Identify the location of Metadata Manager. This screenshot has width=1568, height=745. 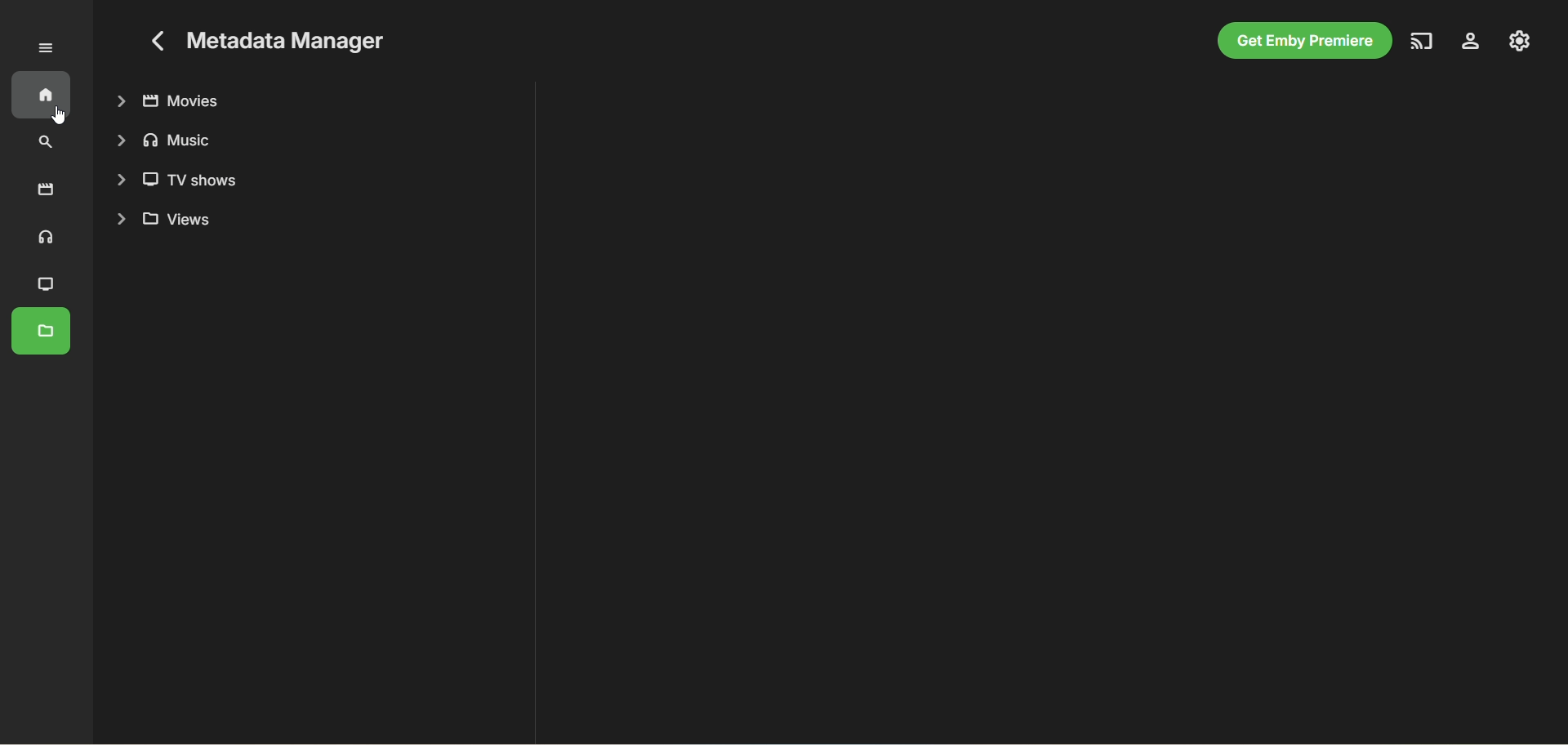
(268, 42).